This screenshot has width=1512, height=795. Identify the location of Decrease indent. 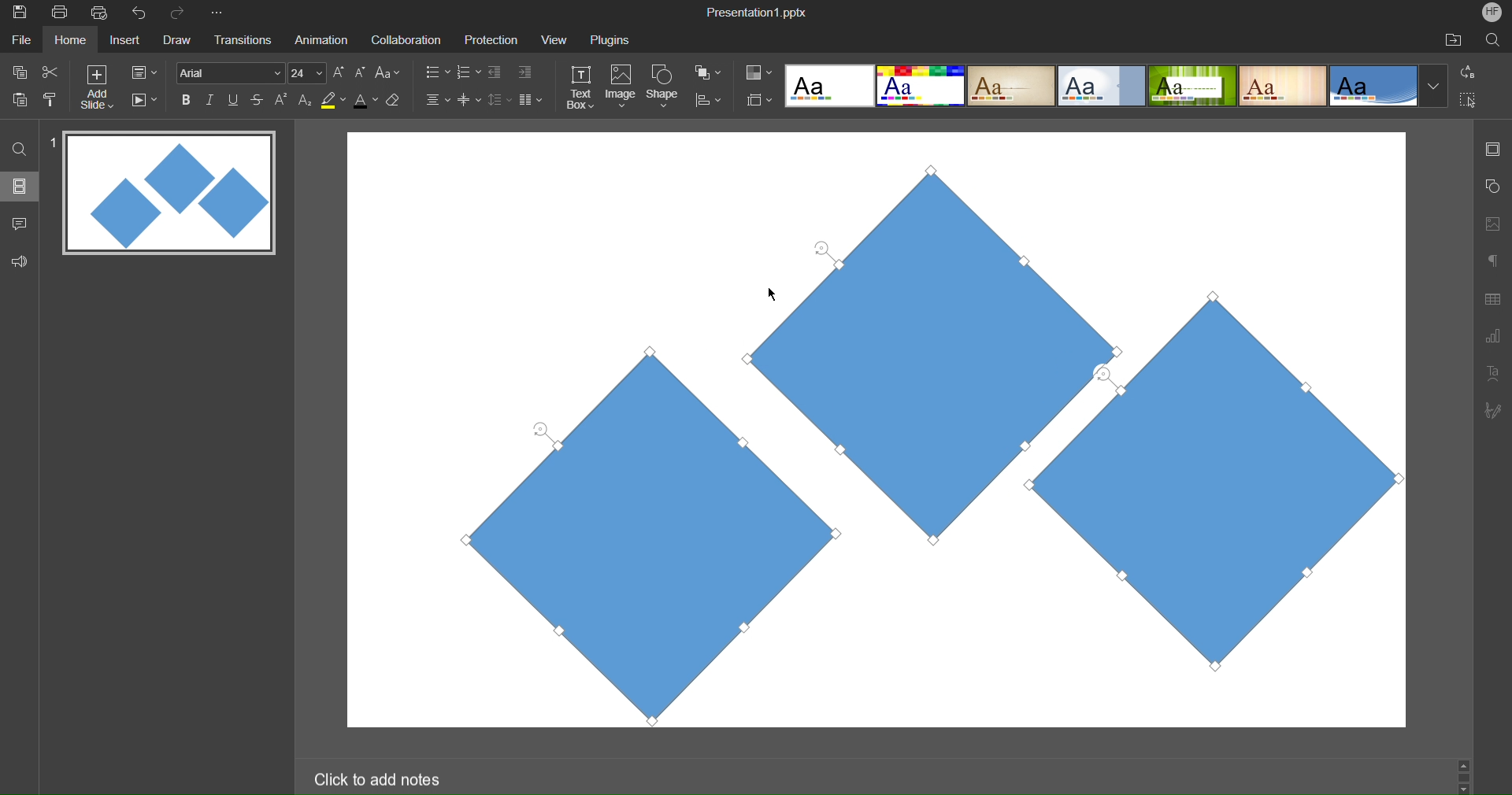
(498, 74).